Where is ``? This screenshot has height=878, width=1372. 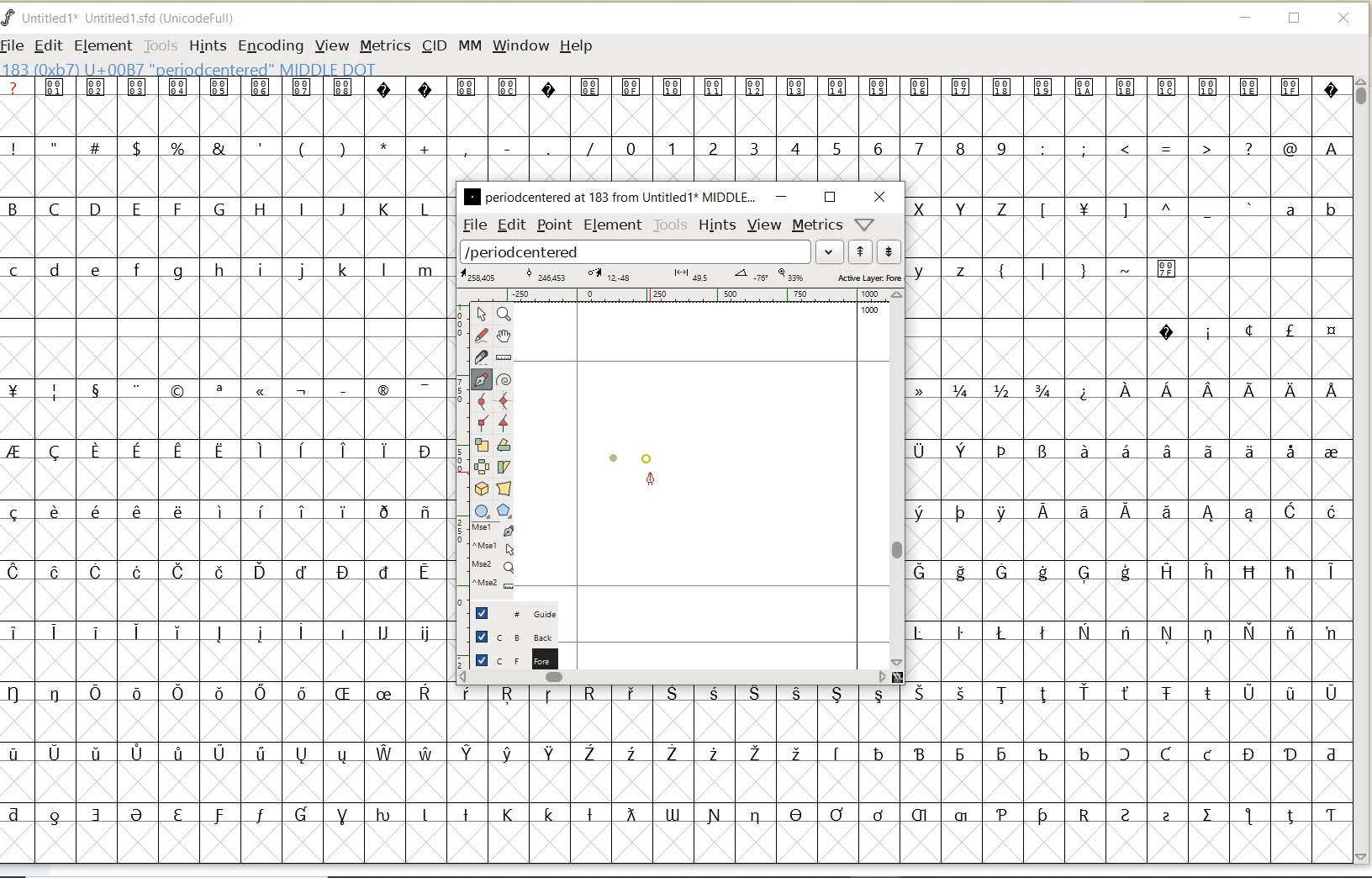  is located at coordinates (1143, 211).